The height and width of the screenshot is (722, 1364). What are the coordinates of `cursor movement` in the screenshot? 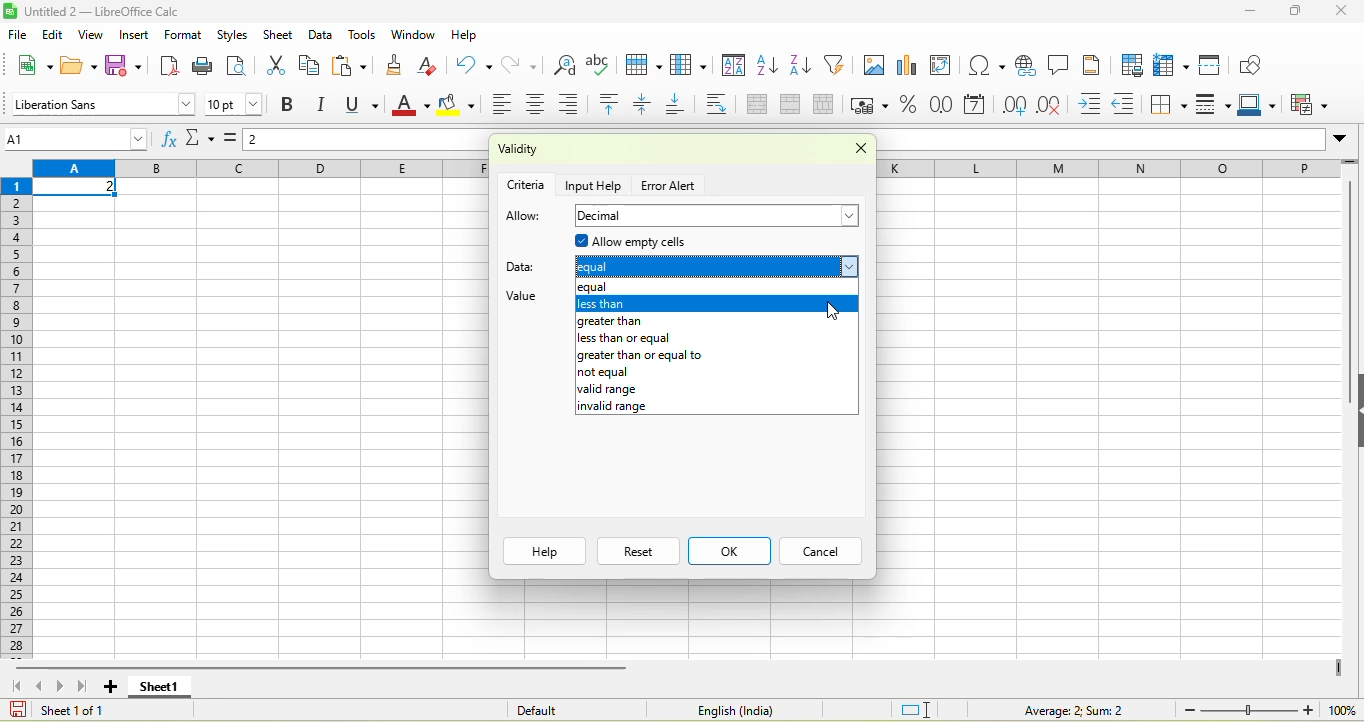 It's located at (834, 310).